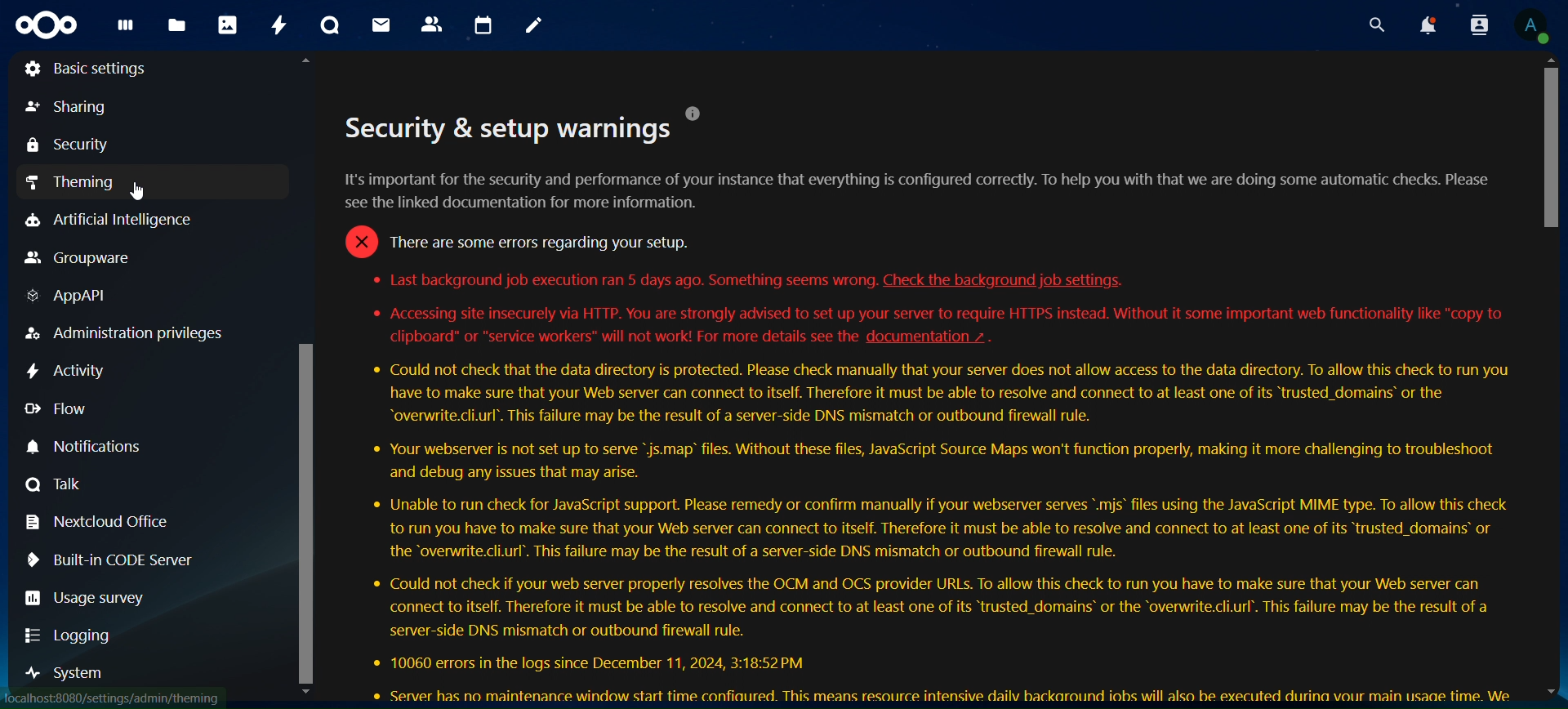  What do you see at coordinates (69, 672) in the screenshot?
I see `system` at bounding box center [69, 672].